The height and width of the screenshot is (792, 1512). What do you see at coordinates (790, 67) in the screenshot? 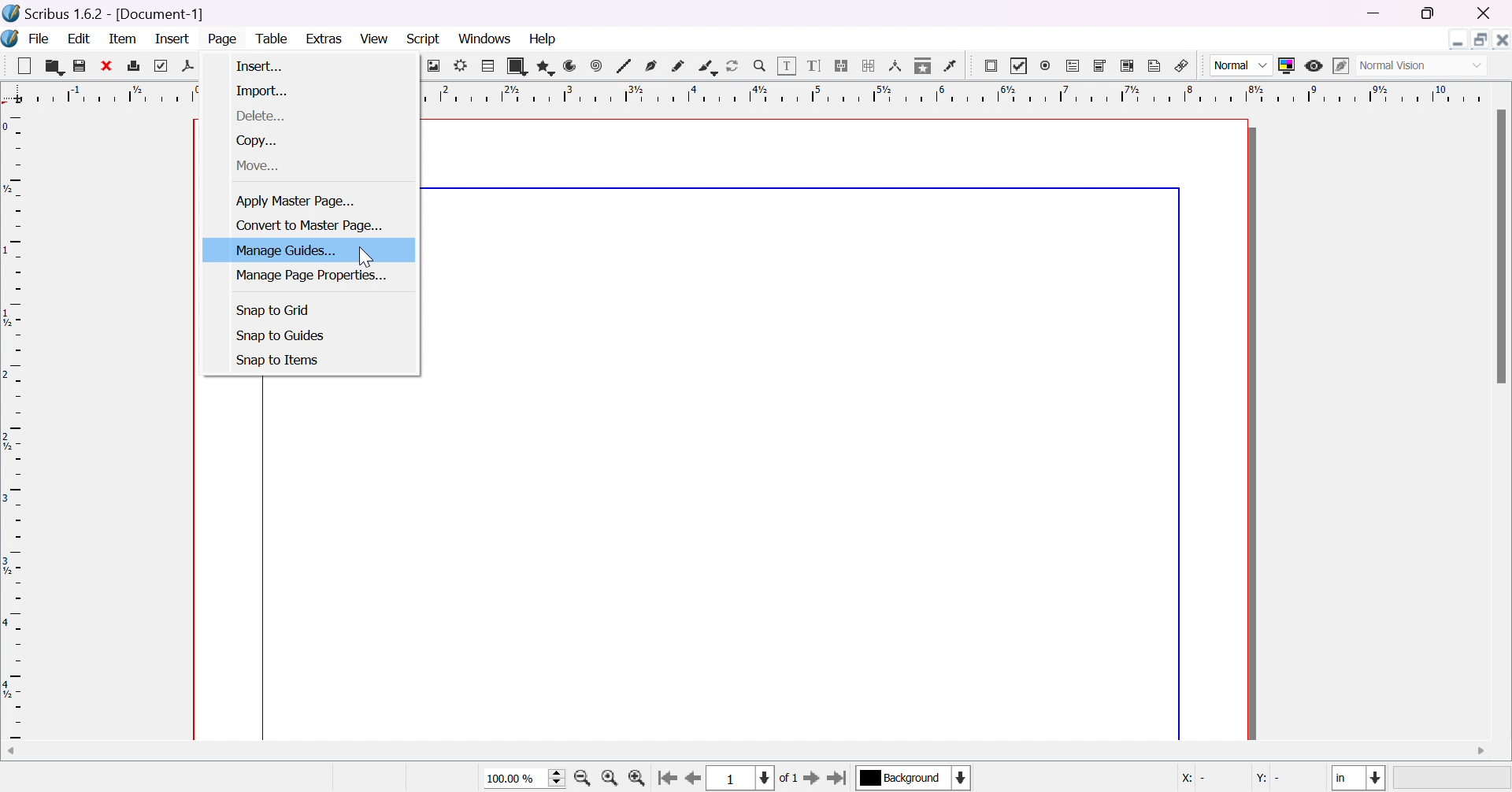
I see `edit contents of frame` at bounding box center [790, 67].